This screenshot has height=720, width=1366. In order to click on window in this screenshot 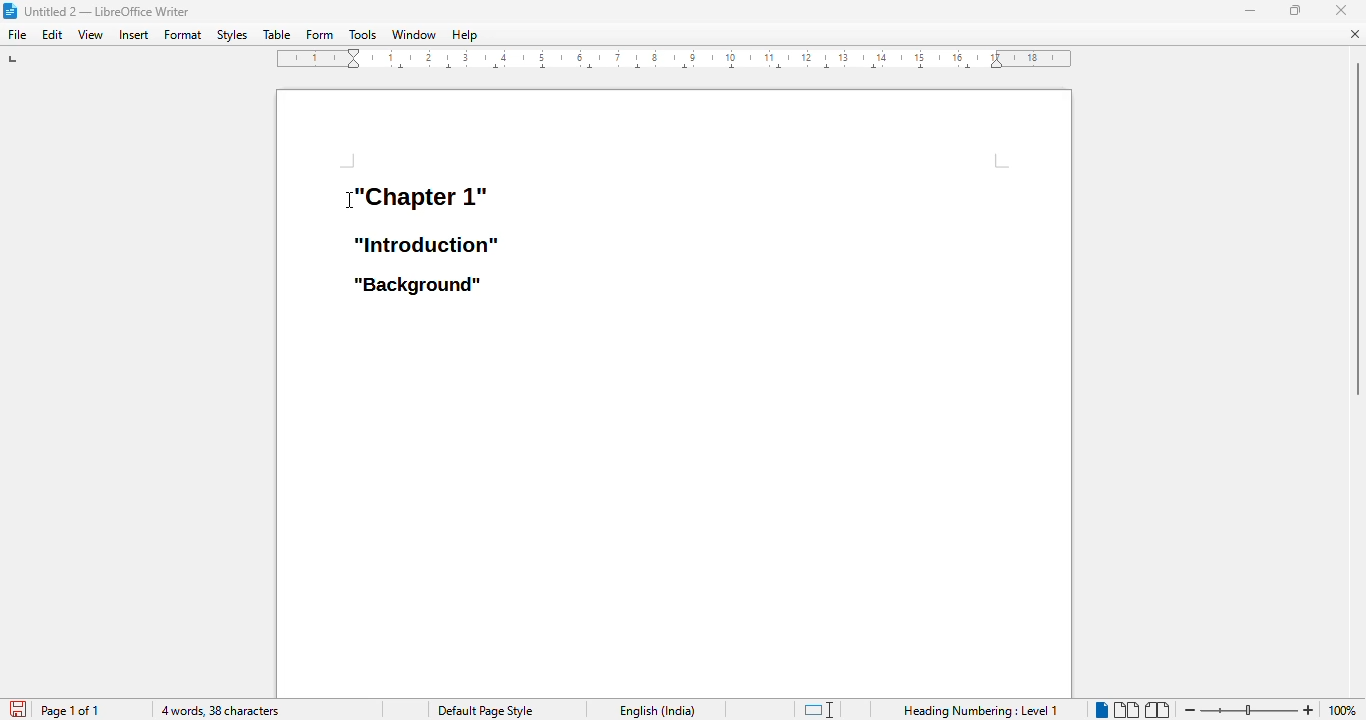, I will do `click(415, 34)`.